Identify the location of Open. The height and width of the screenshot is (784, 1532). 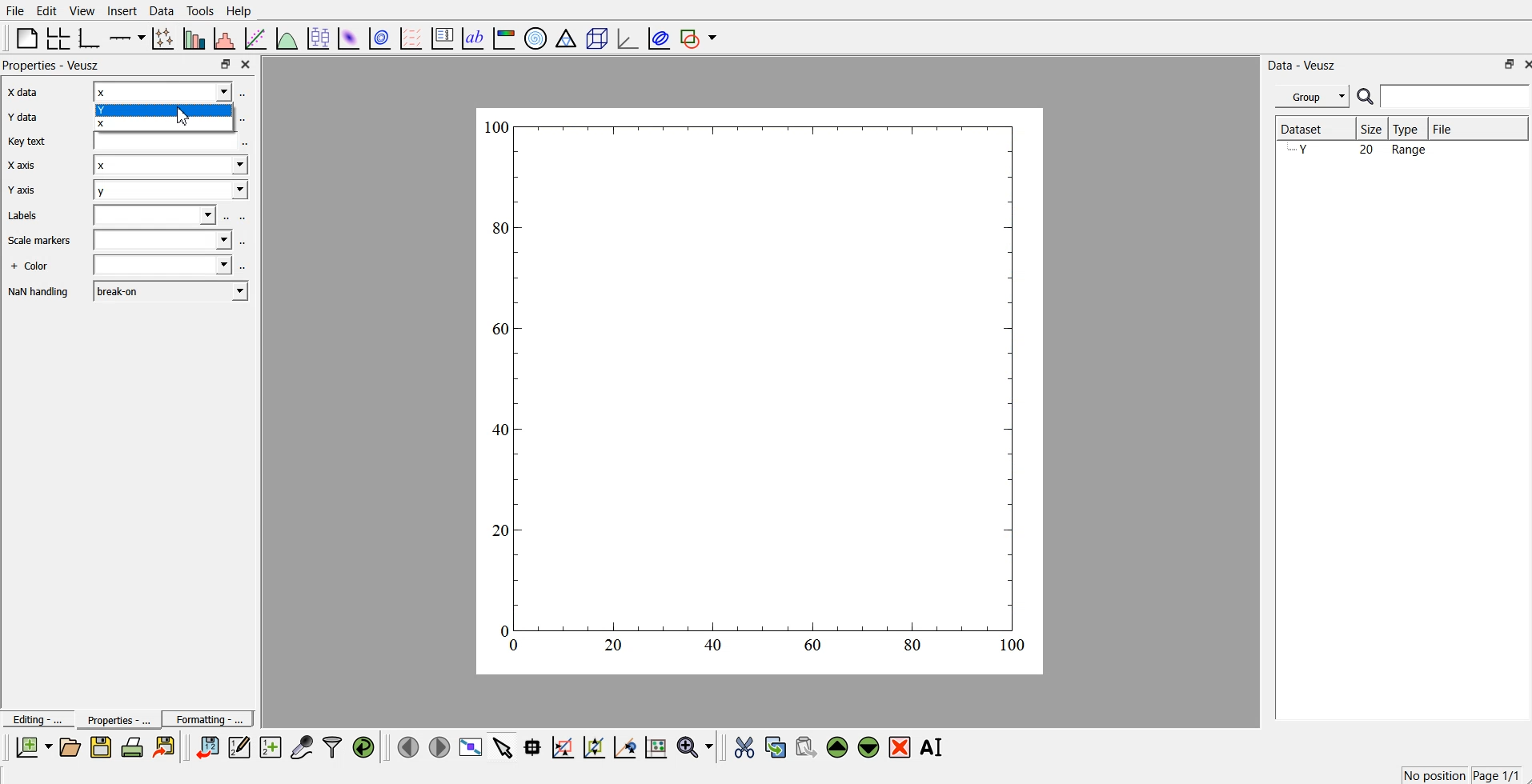
(70, 746).